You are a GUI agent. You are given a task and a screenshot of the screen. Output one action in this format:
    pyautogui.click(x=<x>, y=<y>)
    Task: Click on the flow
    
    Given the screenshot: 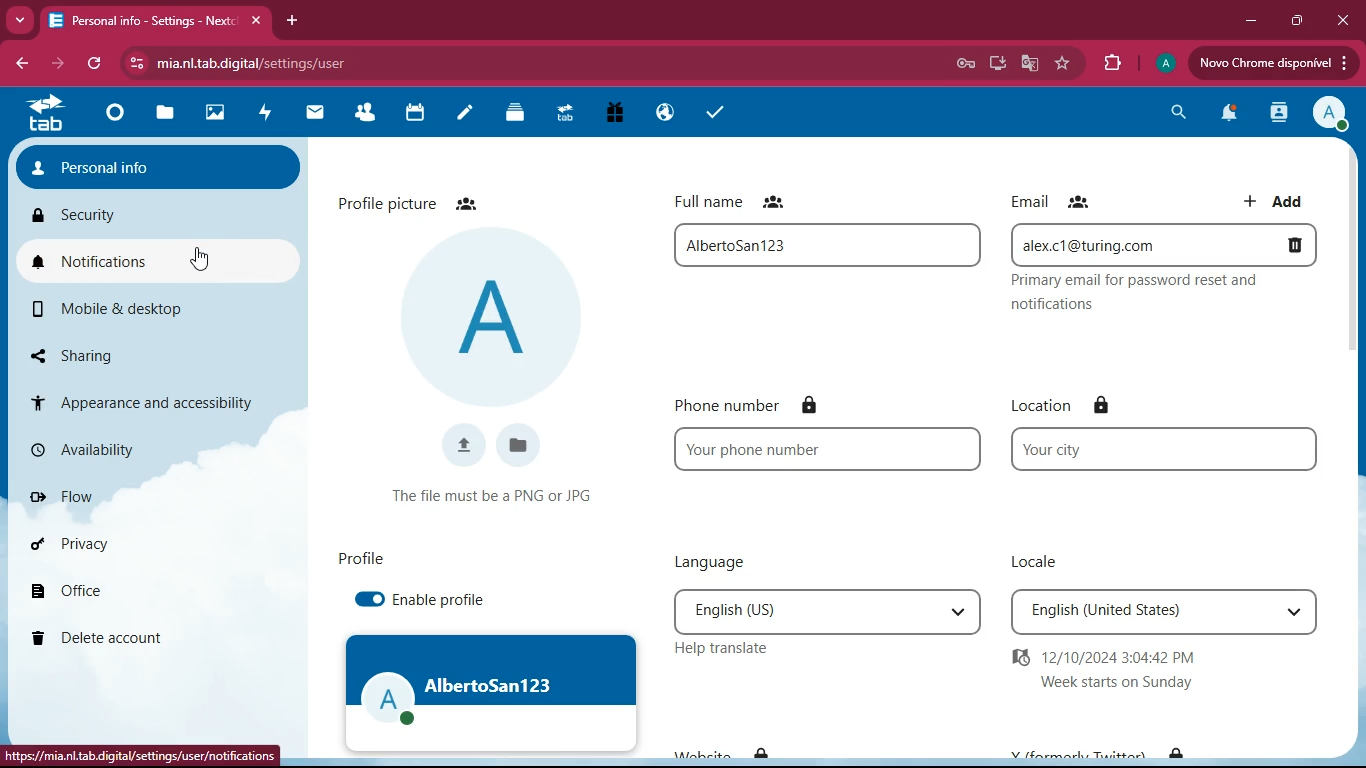 What is the action you would take?
    pyautogui.click(x=117, y=497)
    